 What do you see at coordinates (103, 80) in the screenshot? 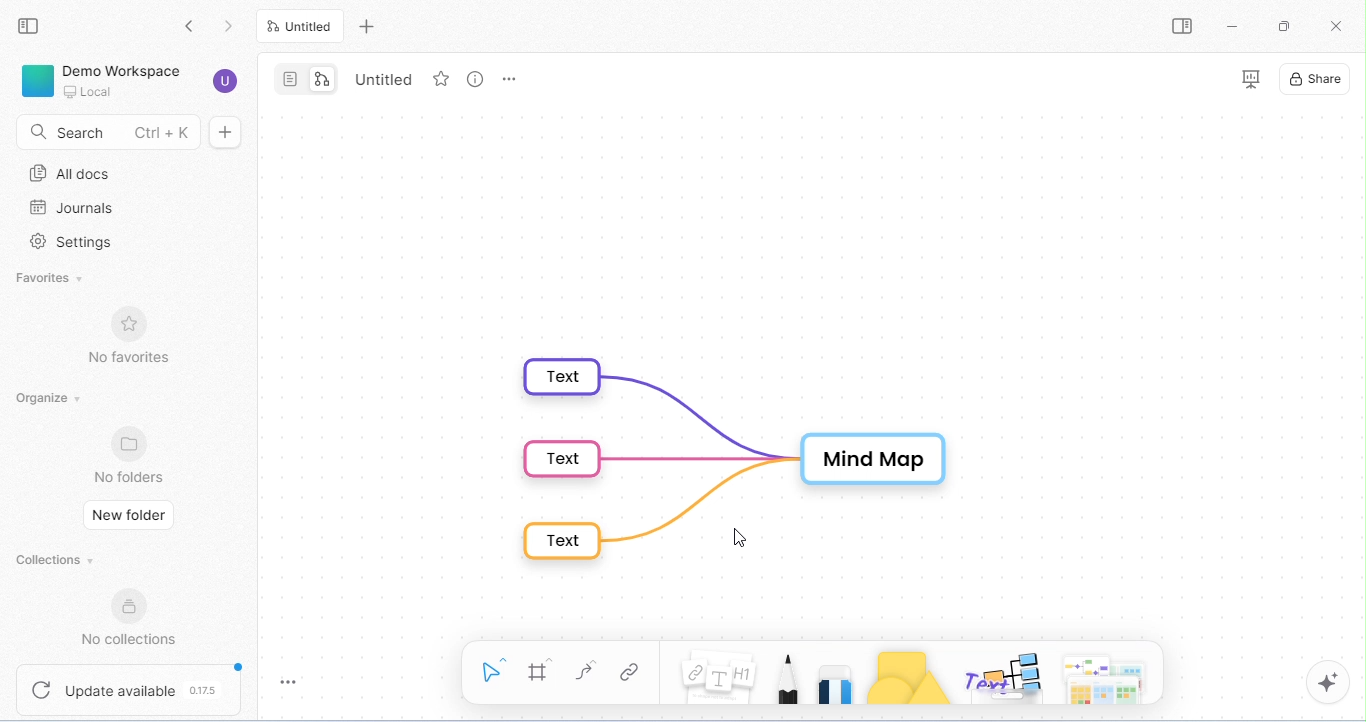
I see `demo workspace` at bounding box center [103, 80].